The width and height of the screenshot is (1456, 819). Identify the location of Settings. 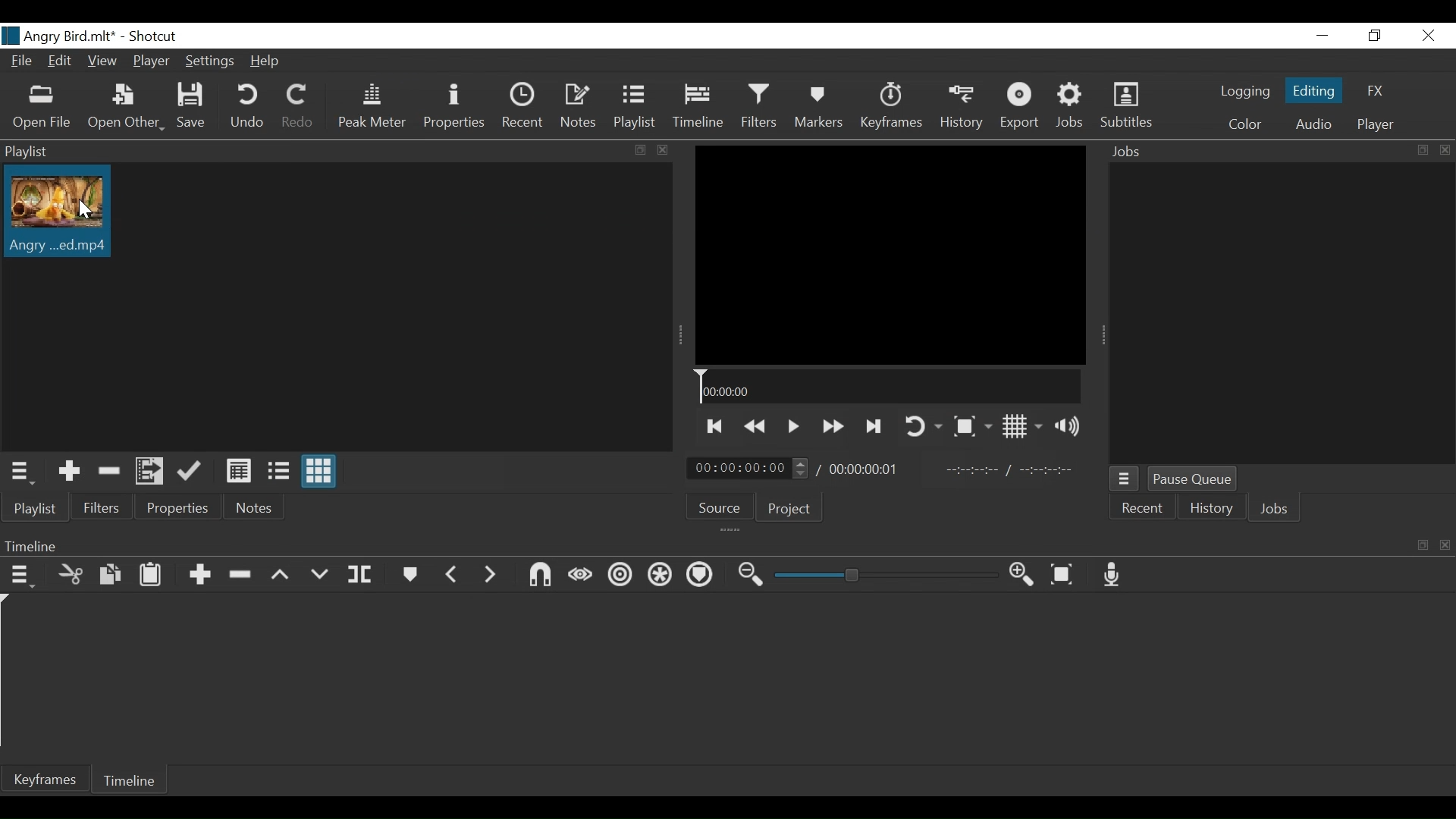
(209, 60).